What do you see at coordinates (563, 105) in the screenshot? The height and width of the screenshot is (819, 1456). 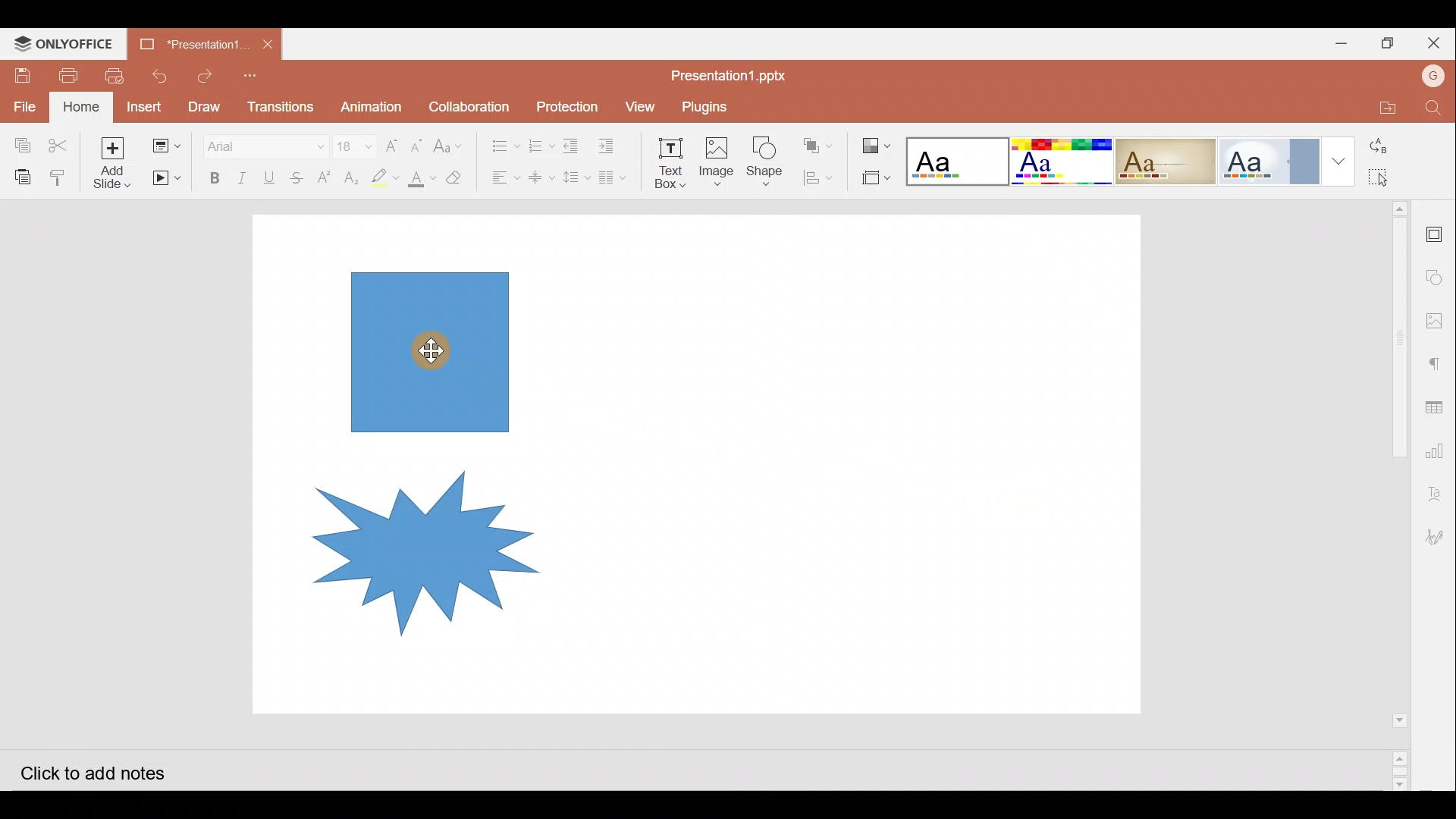 I see `Protection` at bounding box center [563, 105].